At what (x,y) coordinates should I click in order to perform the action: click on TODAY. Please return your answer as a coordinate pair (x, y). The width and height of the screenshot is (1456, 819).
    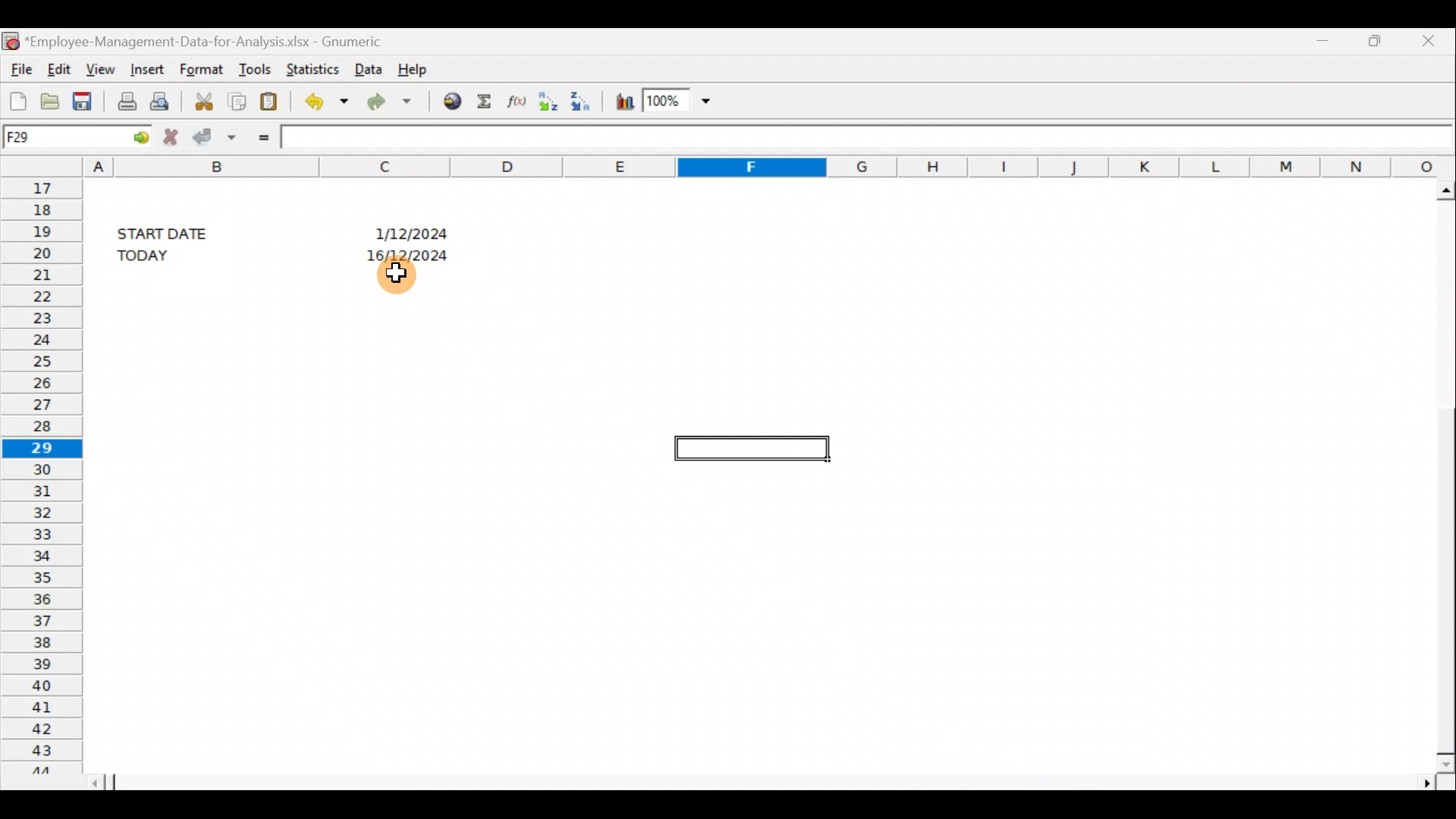
    Looking at the image, I should click on (168, 255).